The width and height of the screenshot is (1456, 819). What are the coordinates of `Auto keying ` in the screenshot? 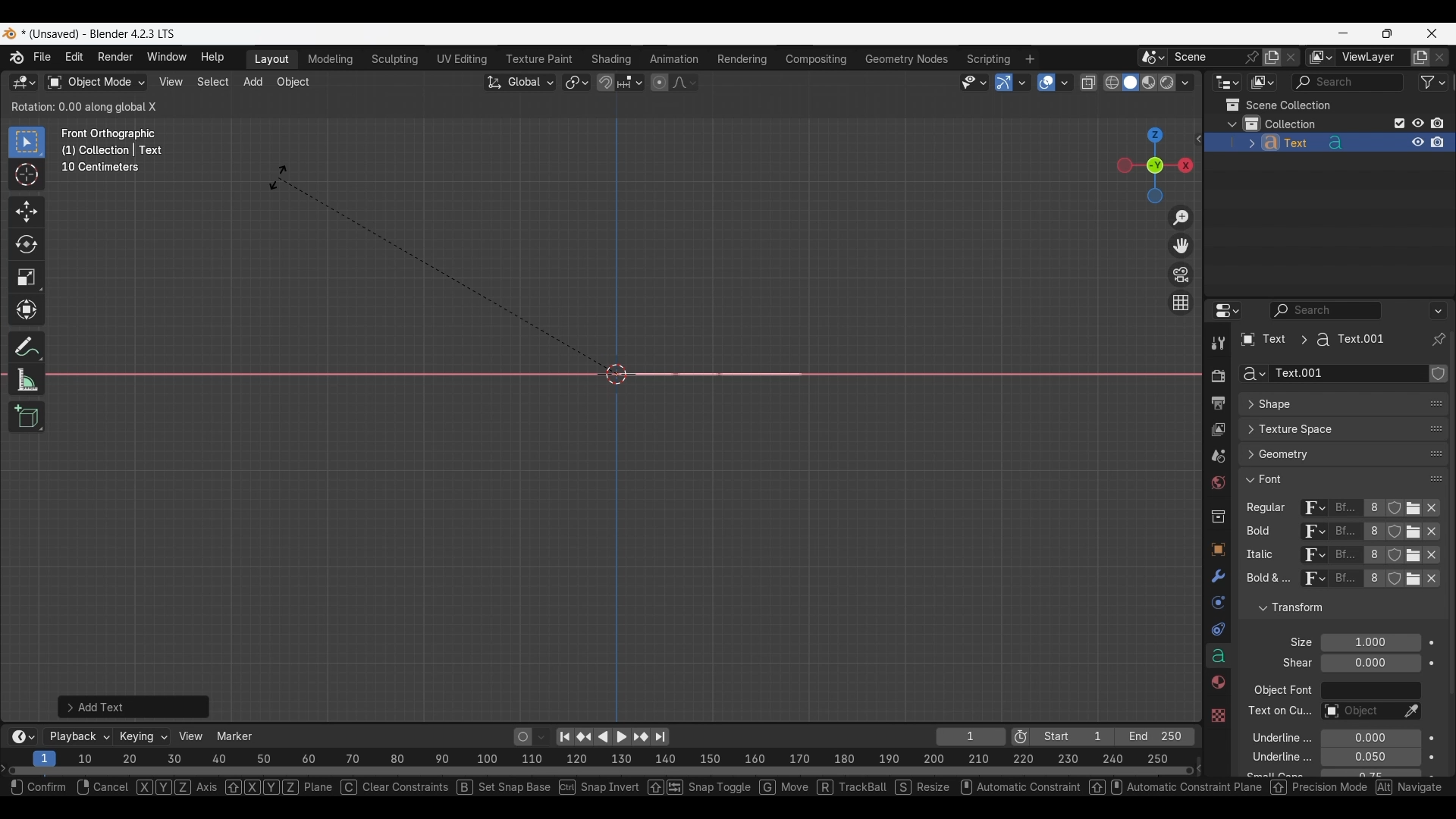 It's located at (523, 737).